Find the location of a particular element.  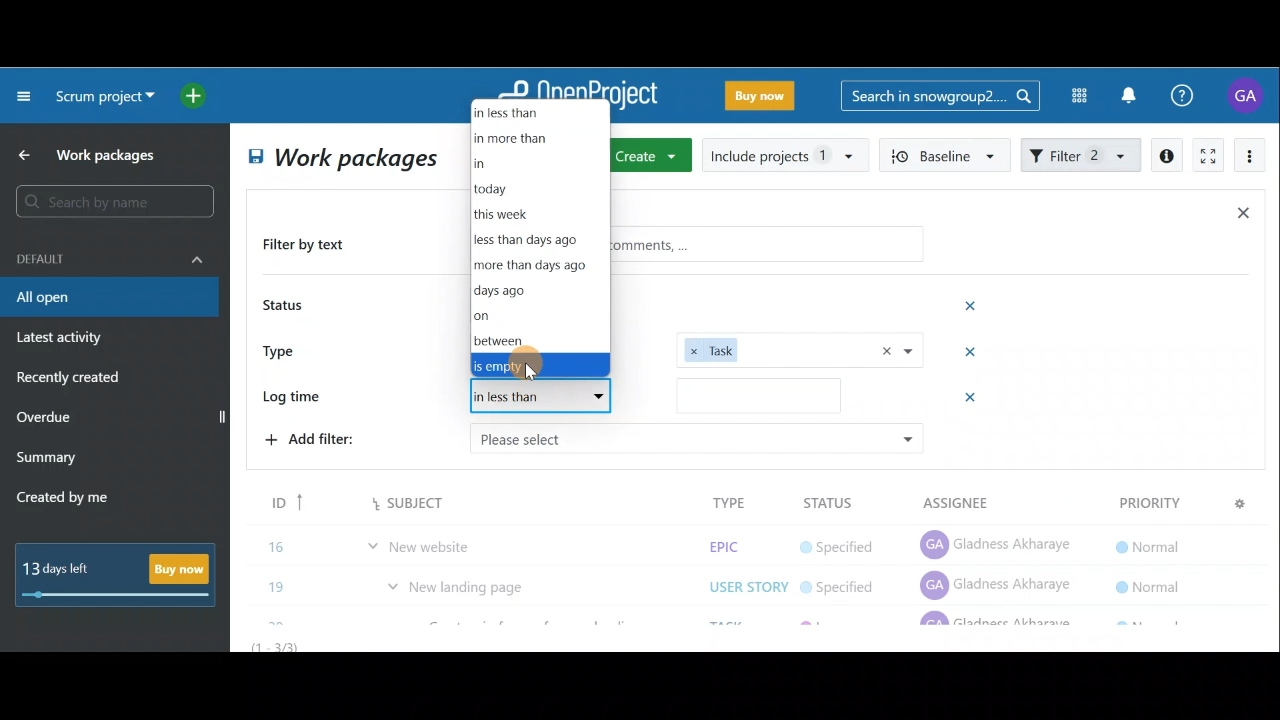

Log time is located at coordinates (298, 398).